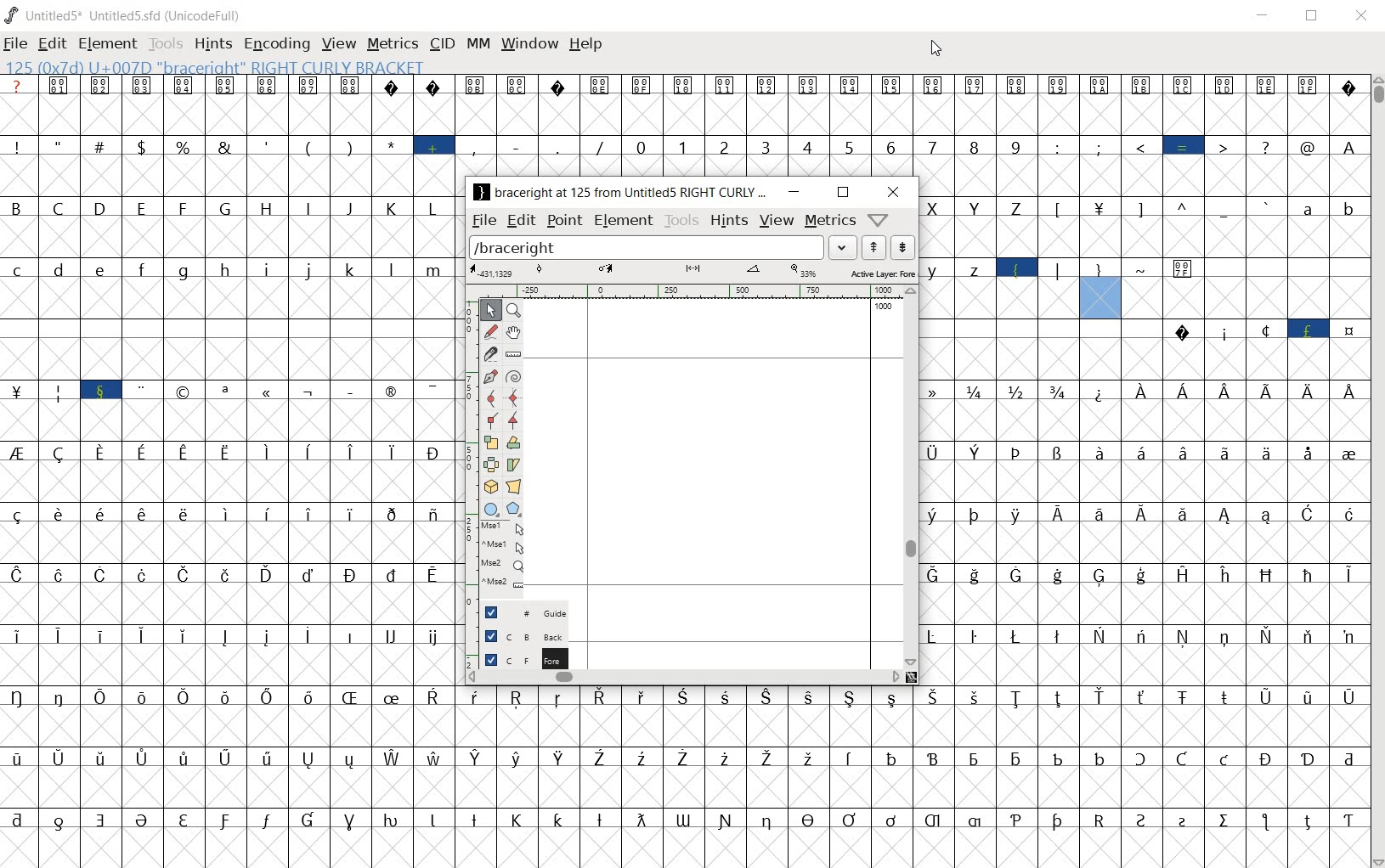 Image resolution: width=1385 pixels, height=868 pixels. Describe the element at coordinates (489, 442) in the screenshot. I see `scale the selection` at that location.